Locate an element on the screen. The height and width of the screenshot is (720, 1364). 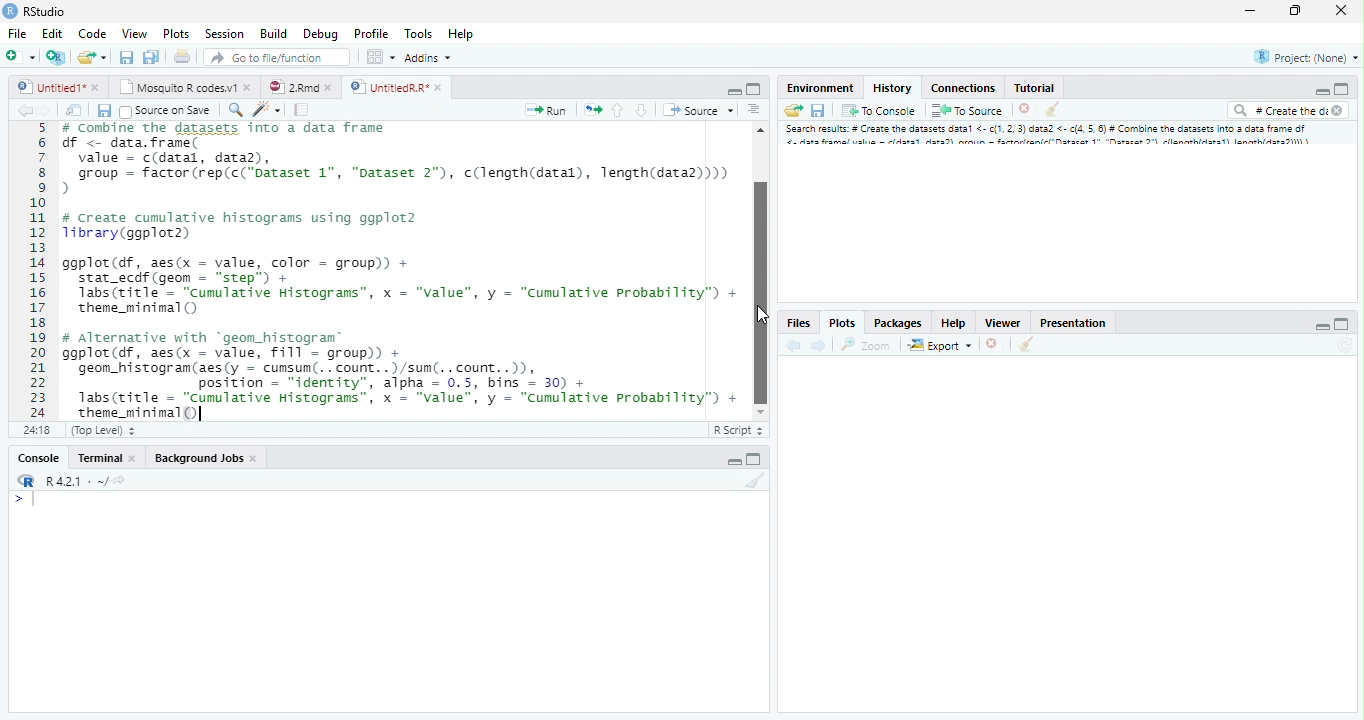
Packages is located at coordinates (898, 321).